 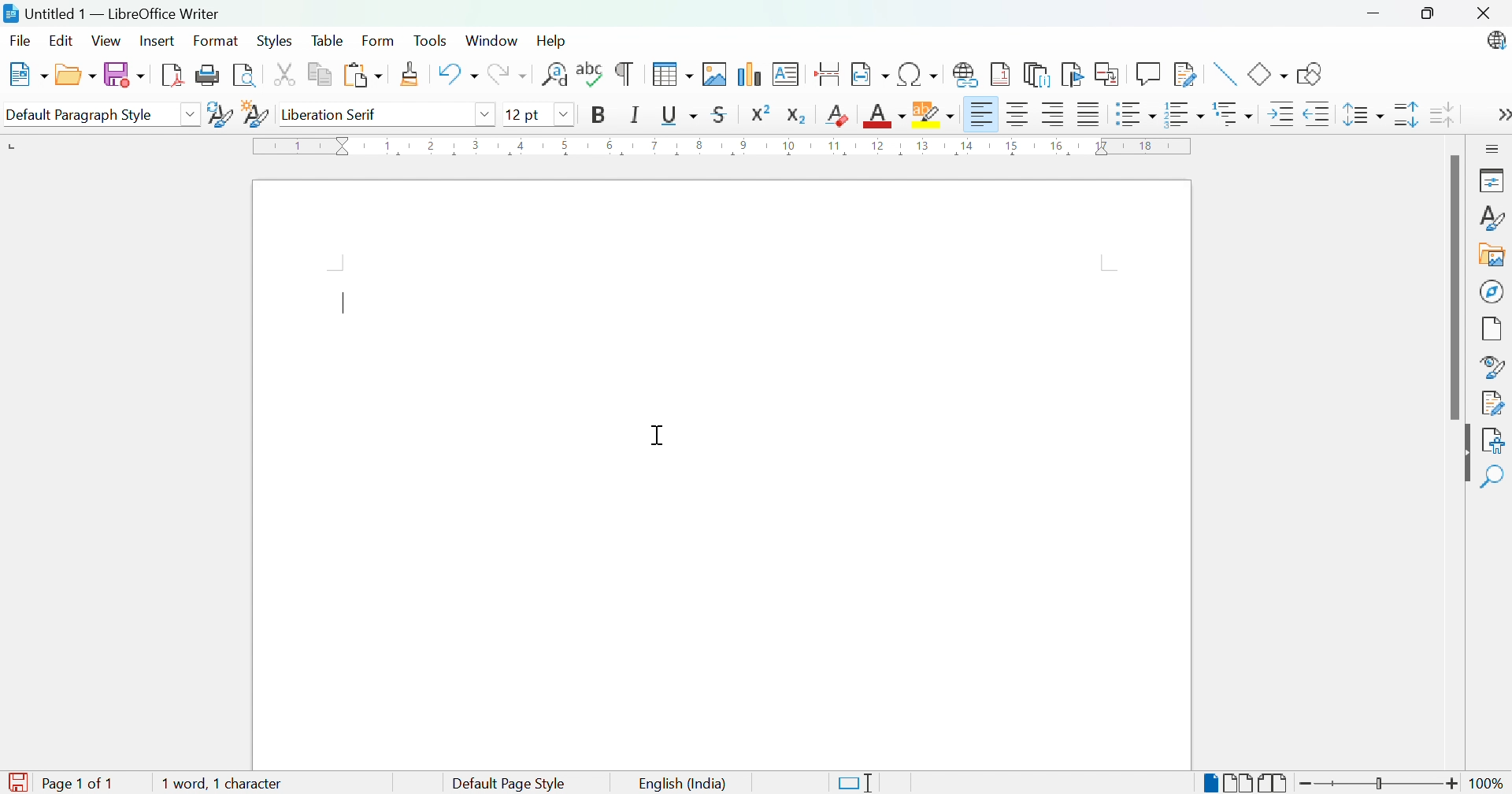 I want to click on Slider, so click(x=1379, y=783).